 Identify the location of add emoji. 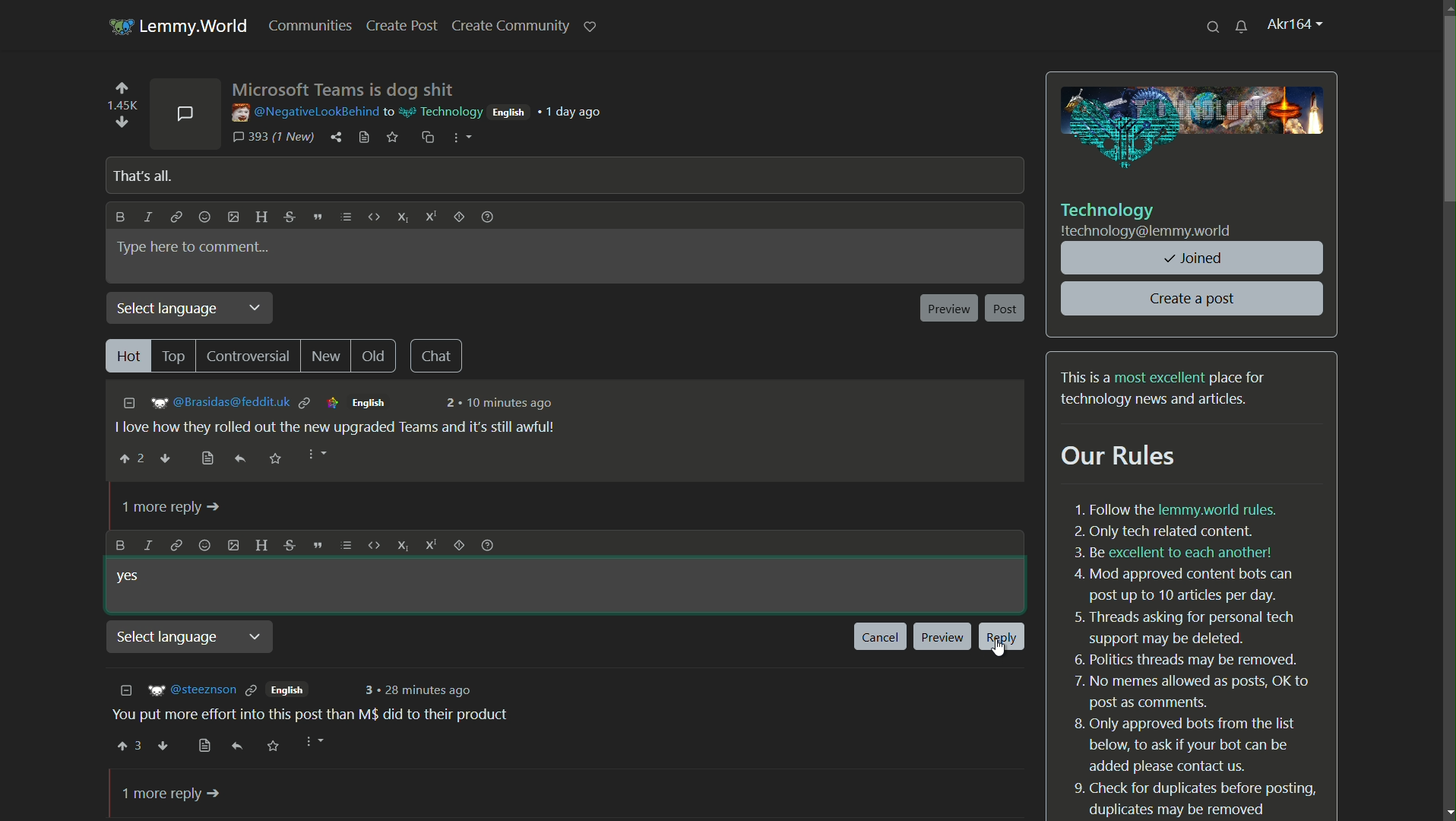
(204, 545).